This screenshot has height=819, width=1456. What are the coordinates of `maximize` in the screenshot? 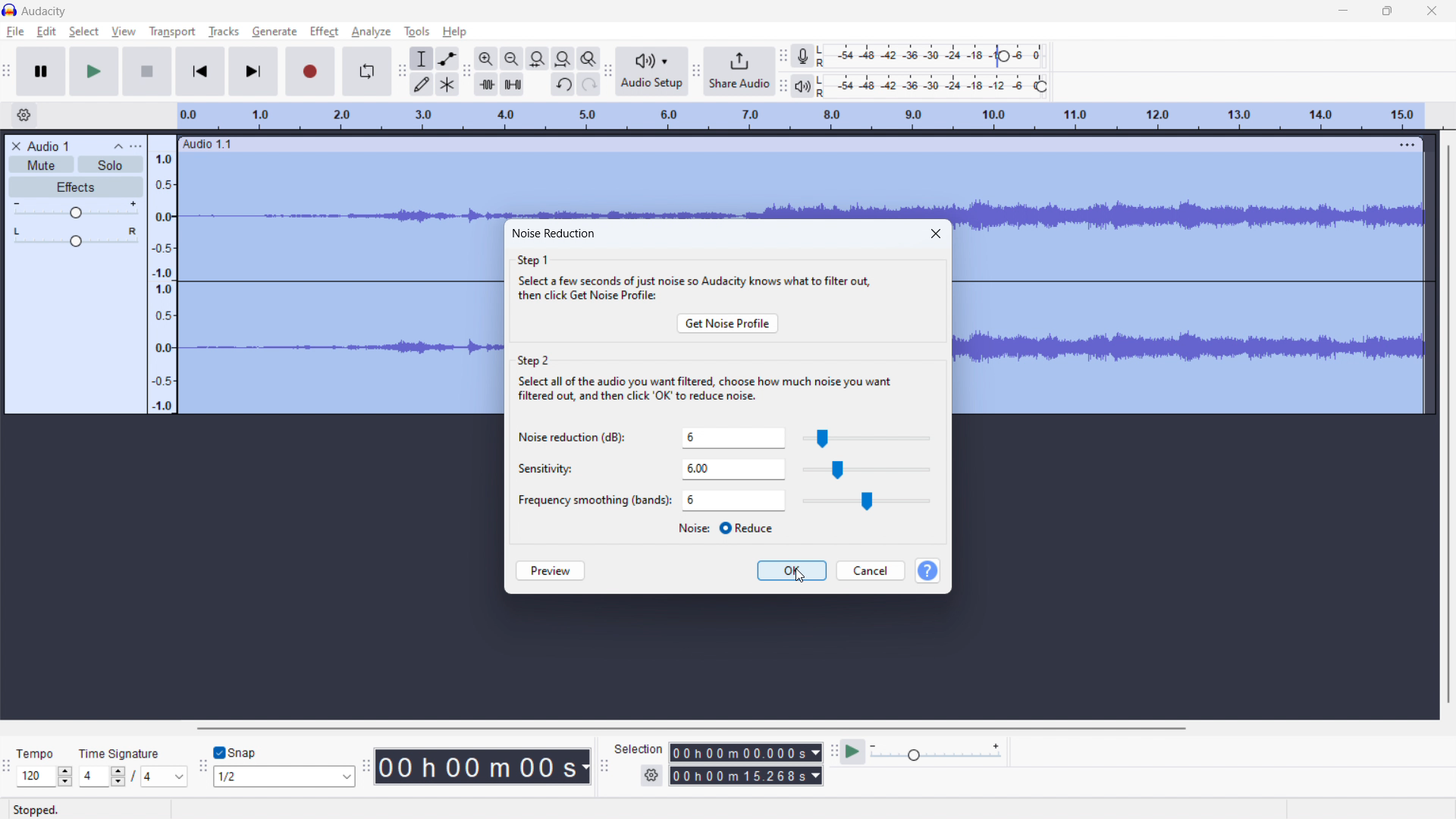 It's located at (1387, 12).